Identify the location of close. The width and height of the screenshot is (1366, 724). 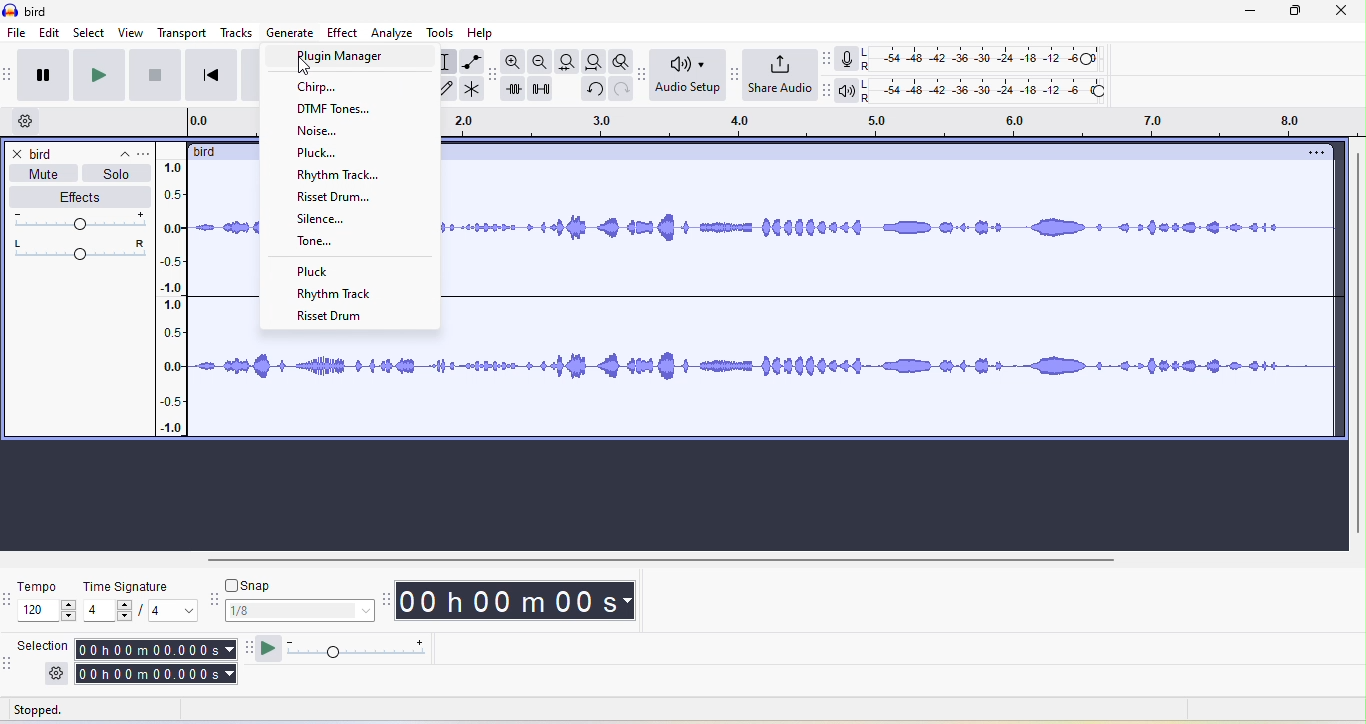
(1344, 12).